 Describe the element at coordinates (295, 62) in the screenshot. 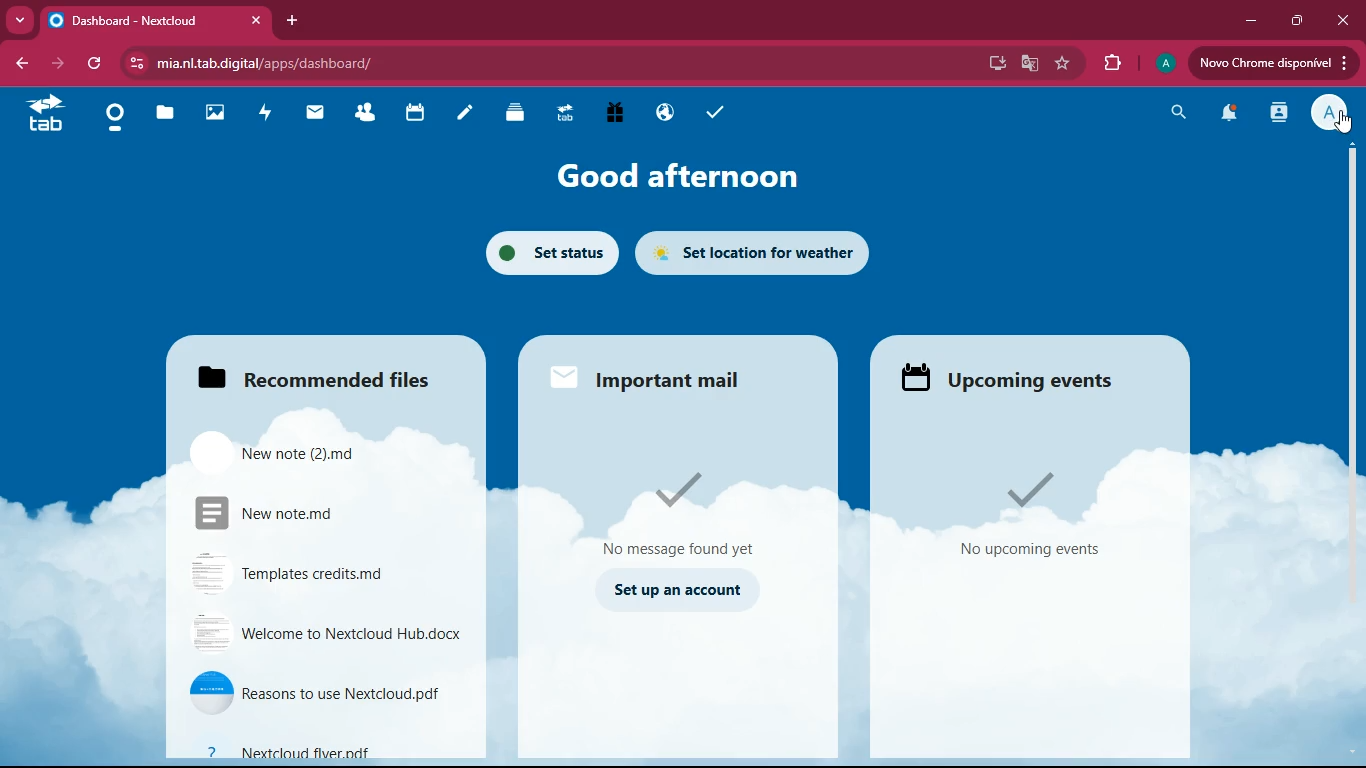

I see `url` at that location.